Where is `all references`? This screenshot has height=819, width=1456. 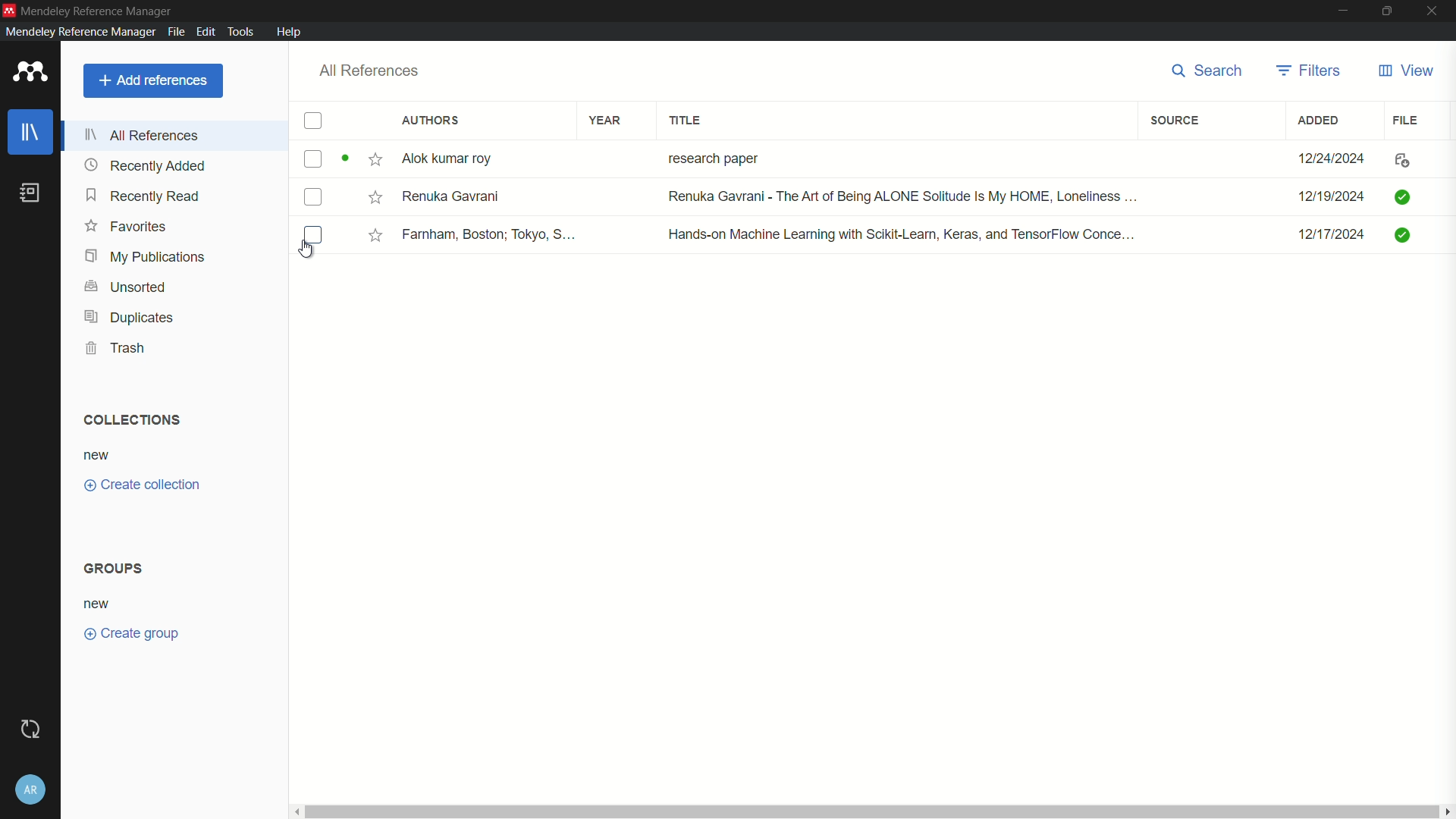
all references is located at coordinates (142, 135).